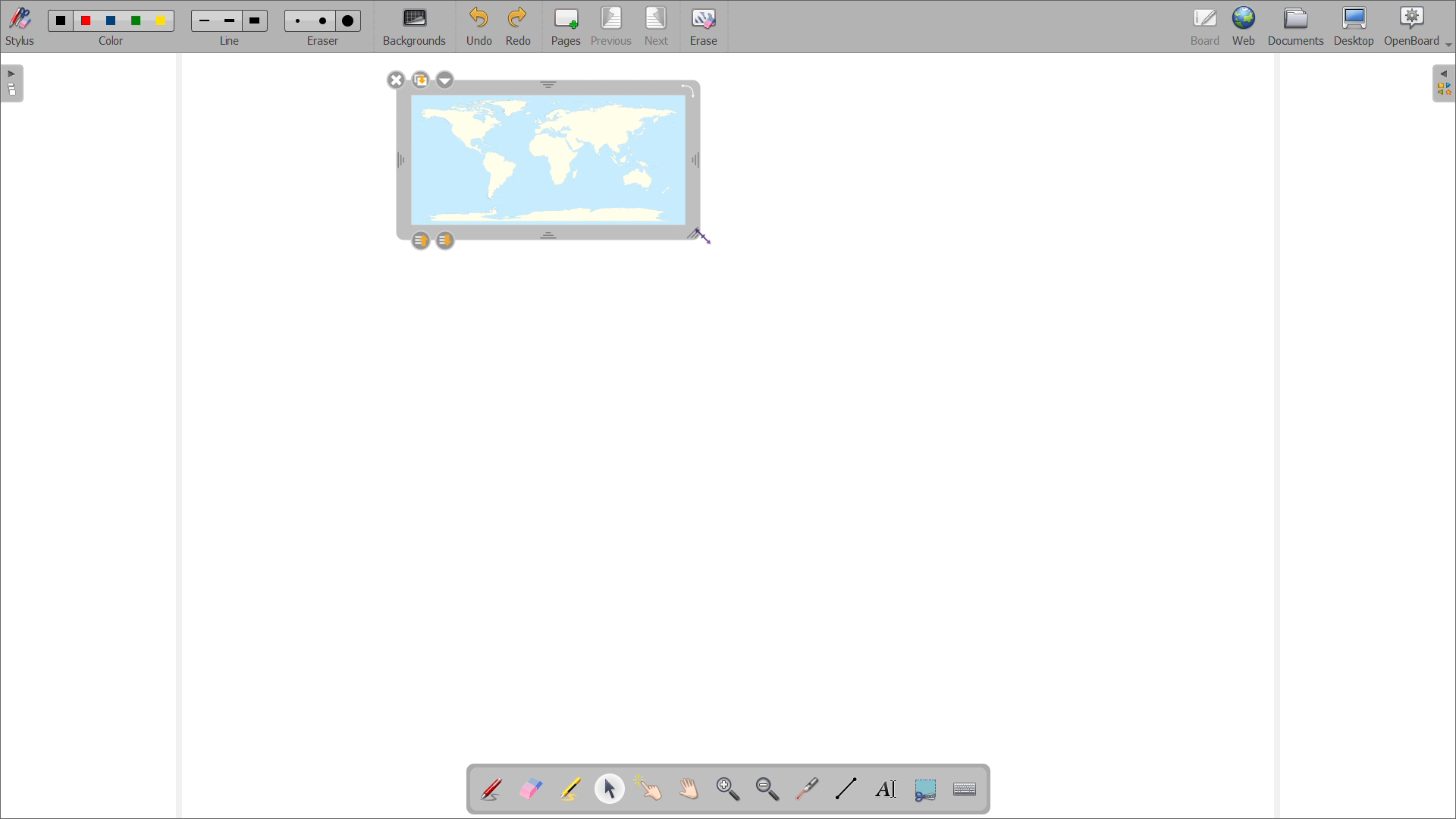 The height and width of the screenshot is (819, 1456). Describe the element at coordinates (492, 789) in the screenshot. I see `add annotations` at that location.